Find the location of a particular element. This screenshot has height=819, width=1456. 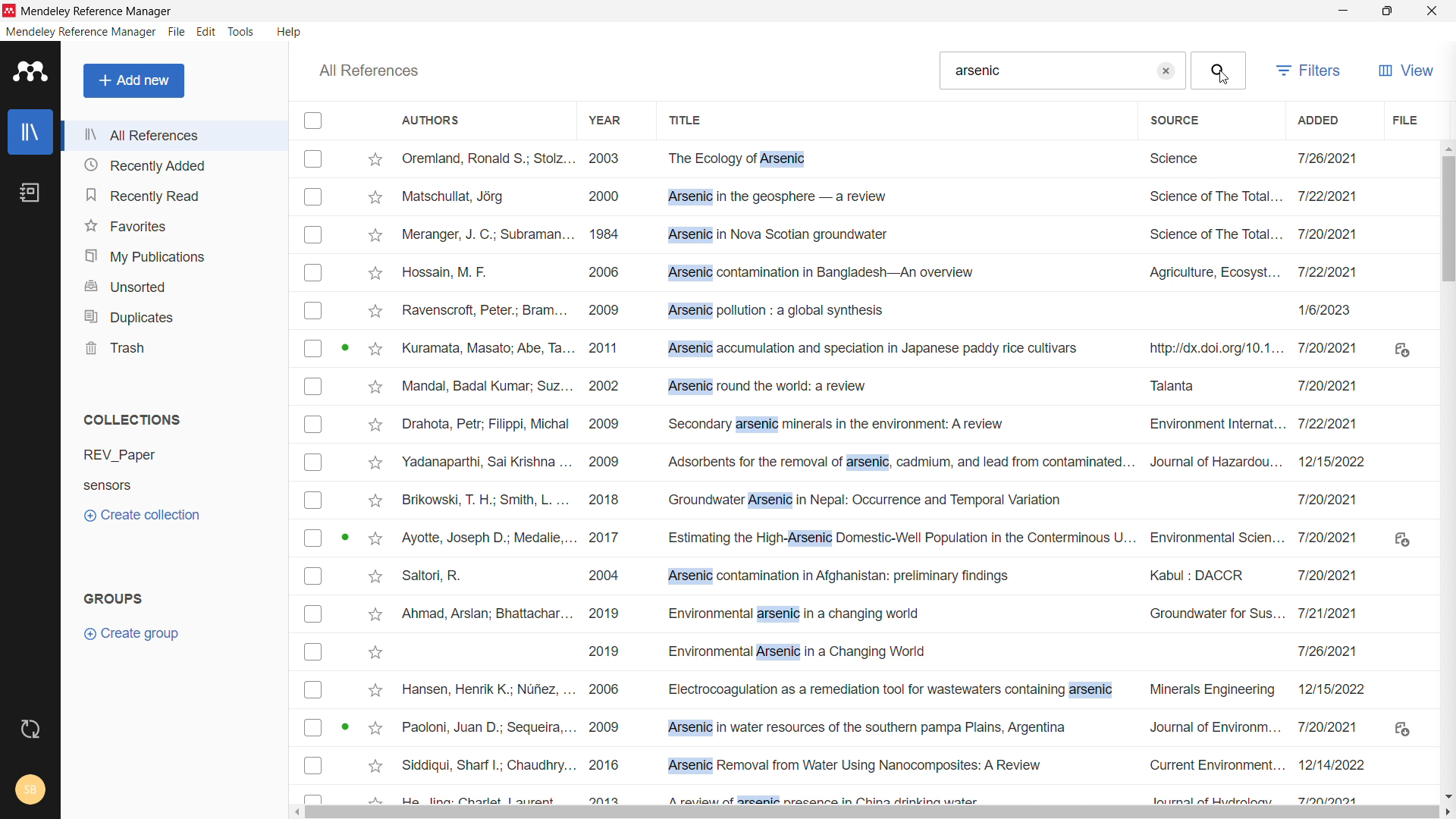

Add to favorites is located at coordinates (374, 728).